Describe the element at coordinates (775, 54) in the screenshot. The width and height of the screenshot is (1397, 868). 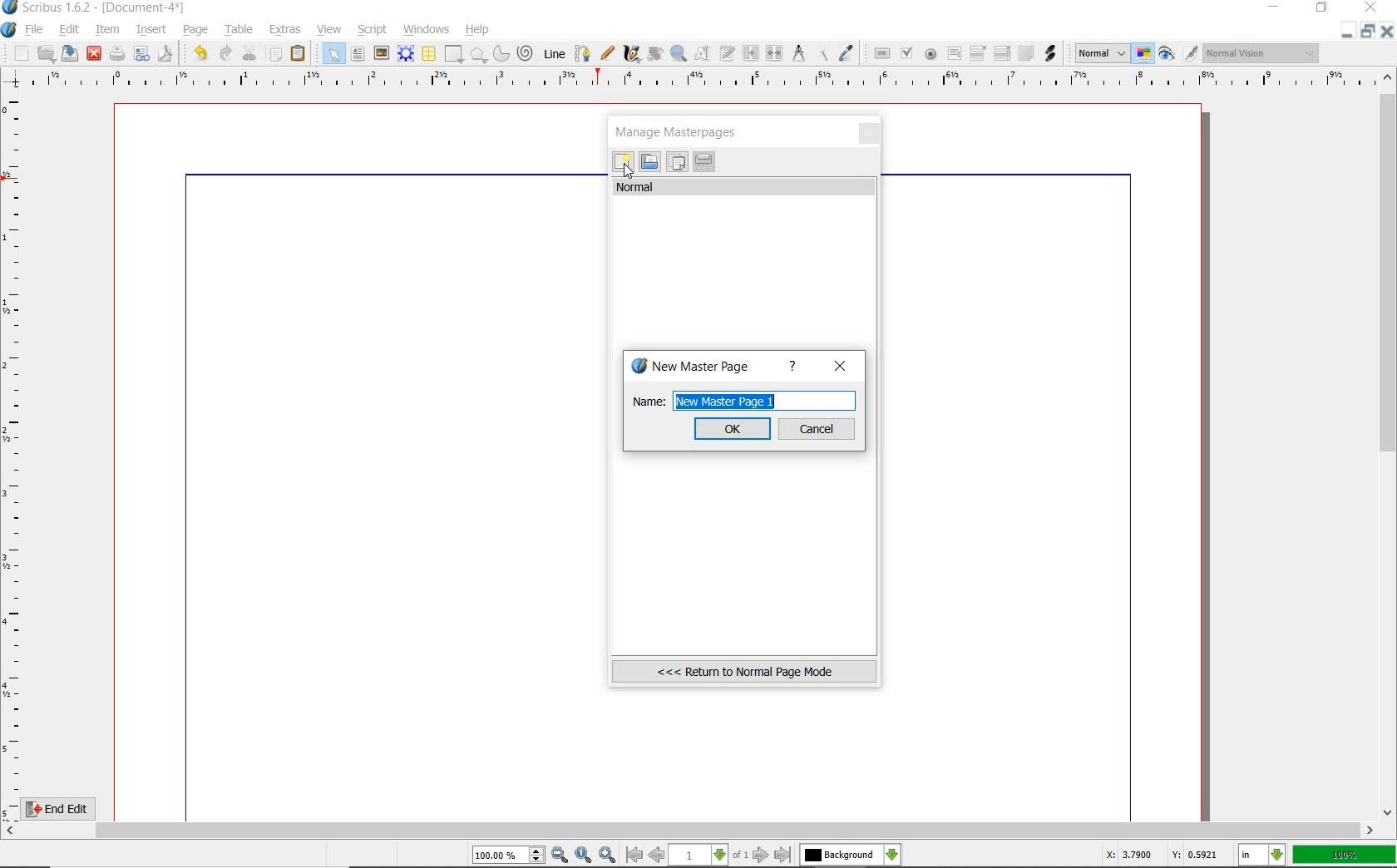
I see `unlink text frames` at that location.